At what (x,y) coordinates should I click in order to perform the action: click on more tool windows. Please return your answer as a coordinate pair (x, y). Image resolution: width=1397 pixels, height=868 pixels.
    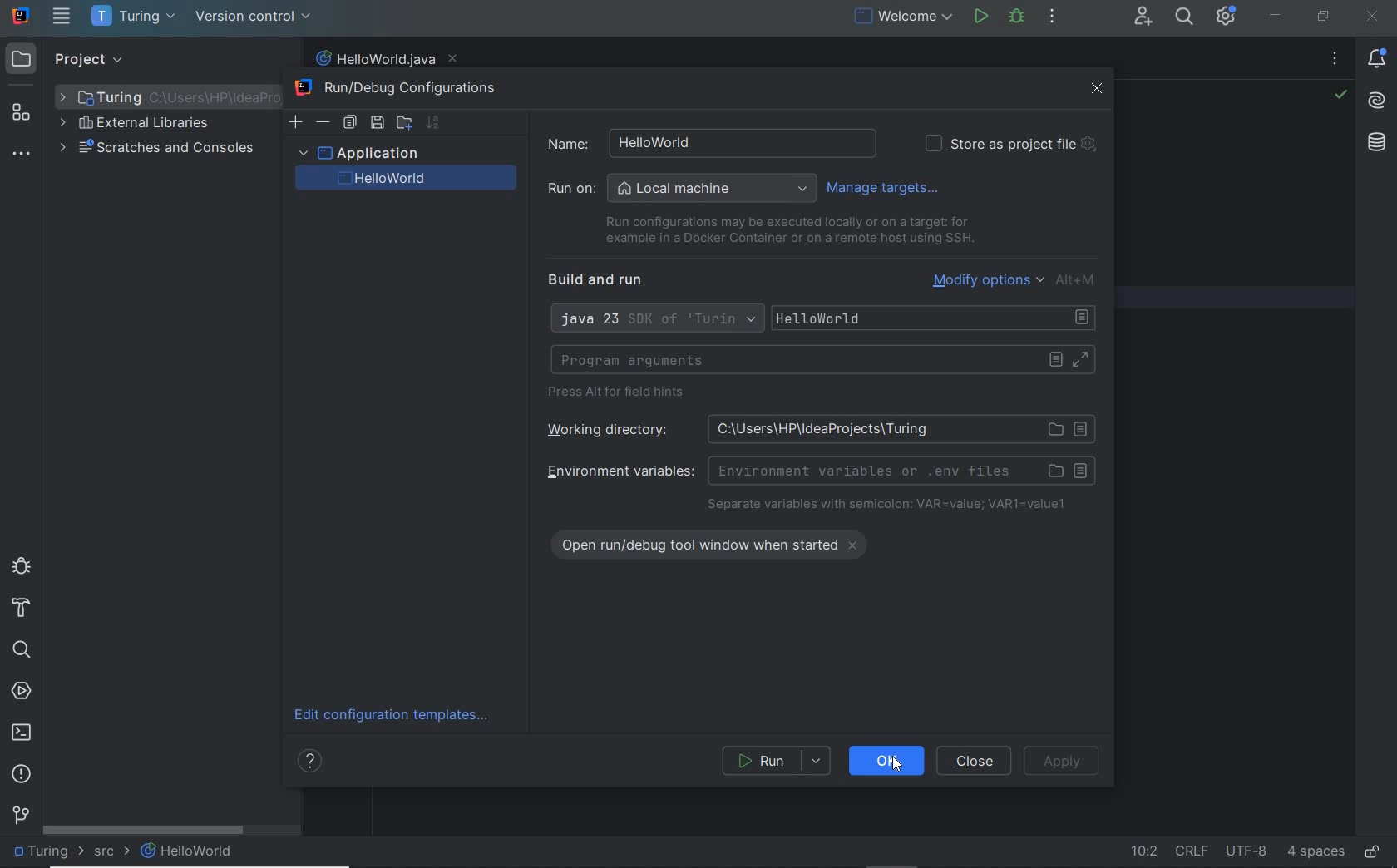
    Looking at the image, I should click on (20, 155).